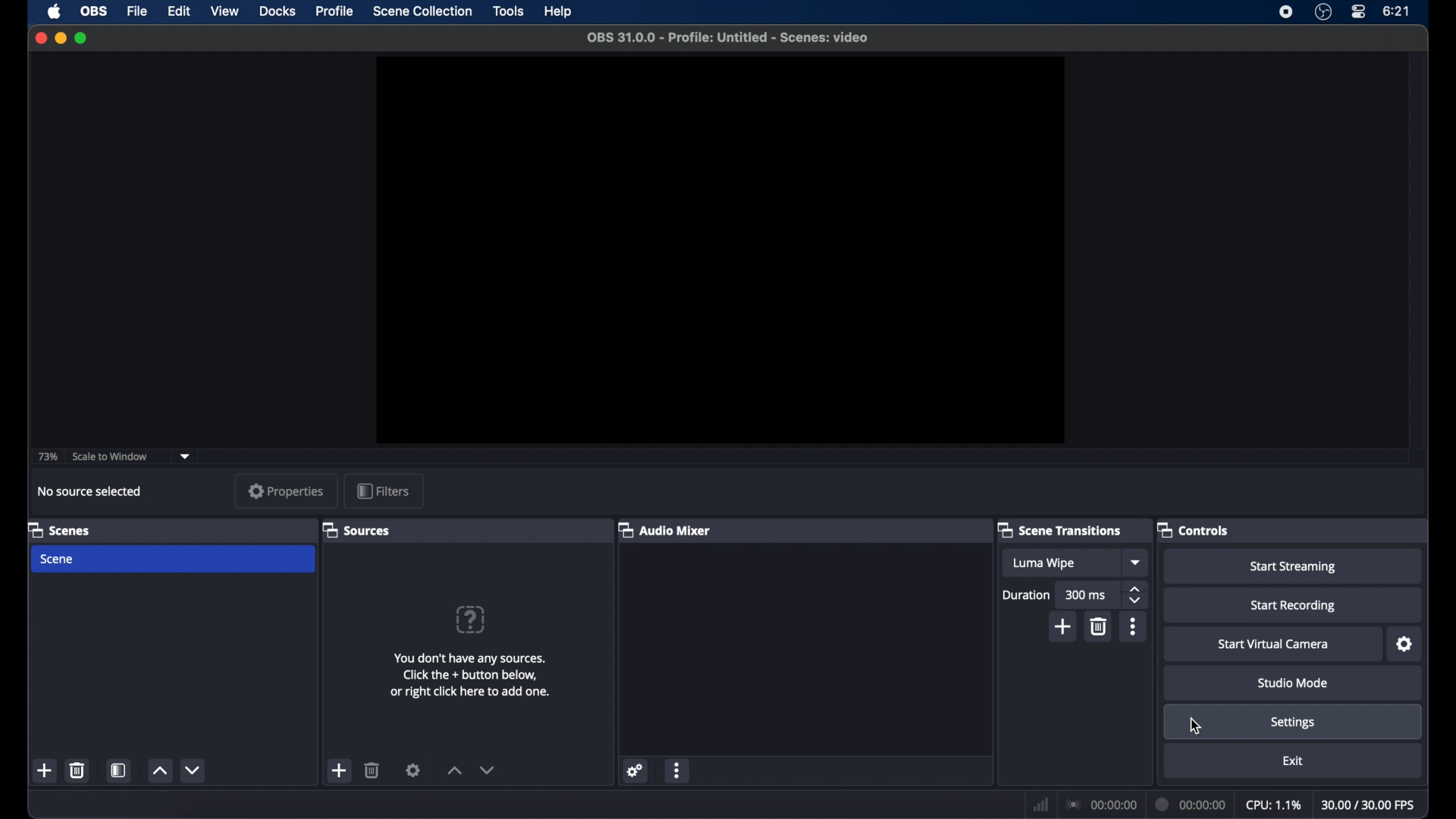 This screenshot has width=1456, height=819. What do you see at coordinates (718, 249) in the screenshot?
I see `preview` at bounding box center [718, 249].